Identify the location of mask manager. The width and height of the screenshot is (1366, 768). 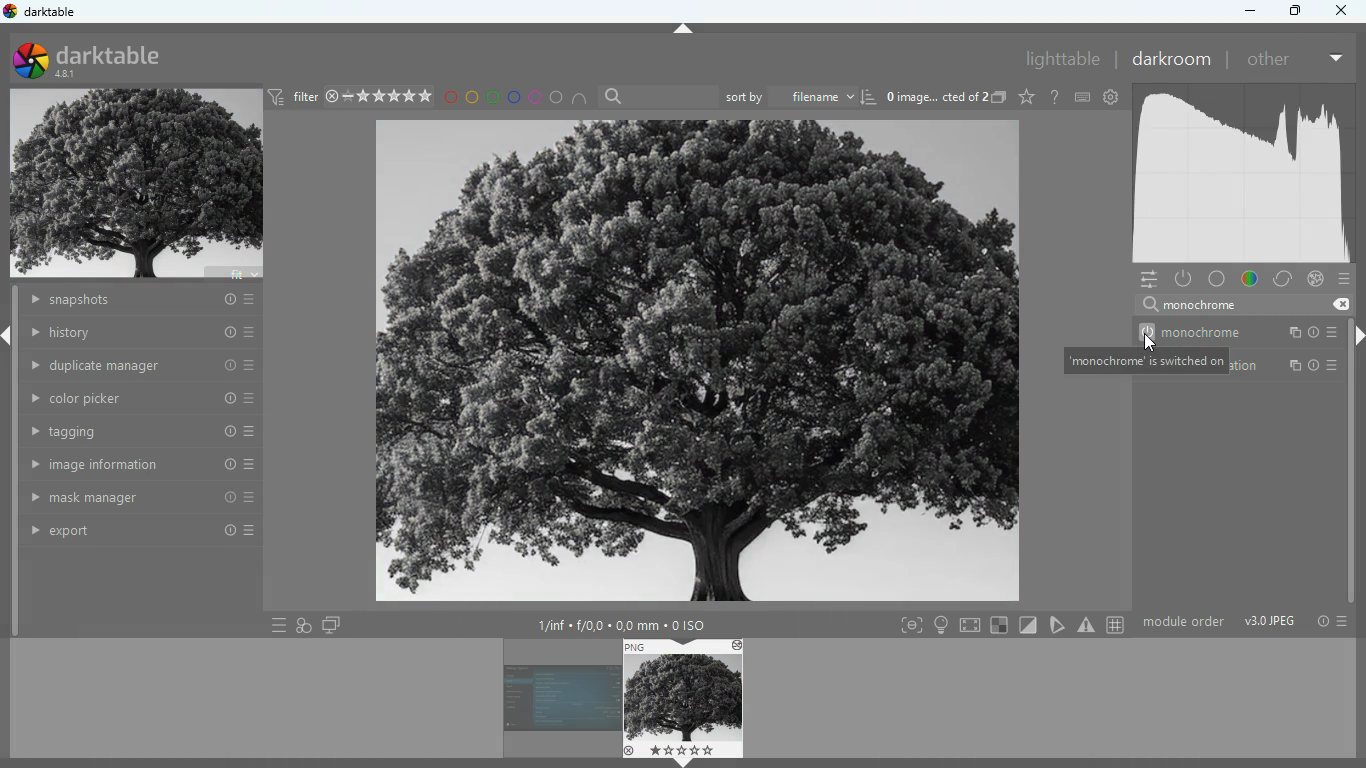
(143, 499).